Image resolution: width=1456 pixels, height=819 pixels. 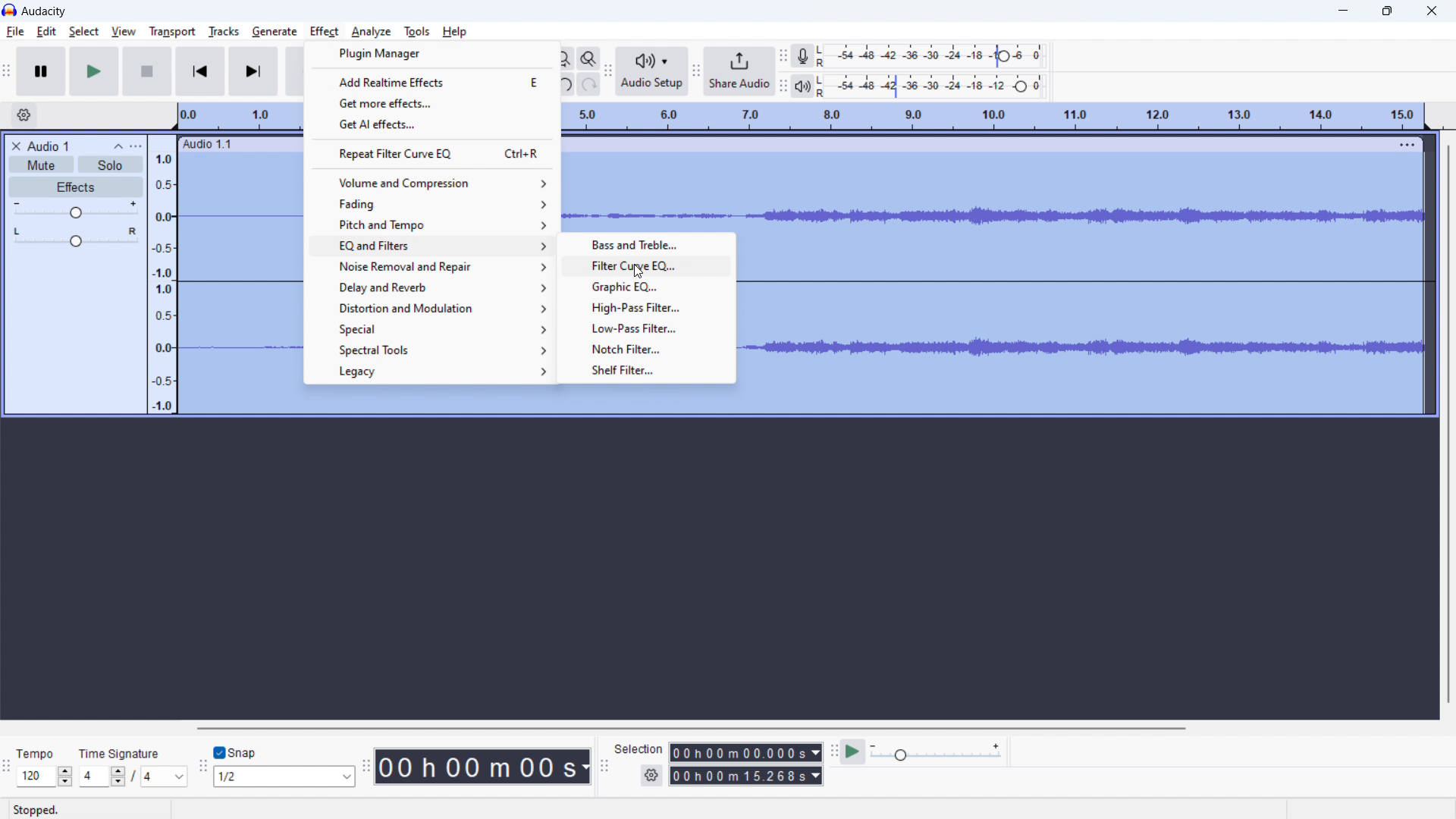 I want to click on Audio 1.1, so click(x=214, y=145).